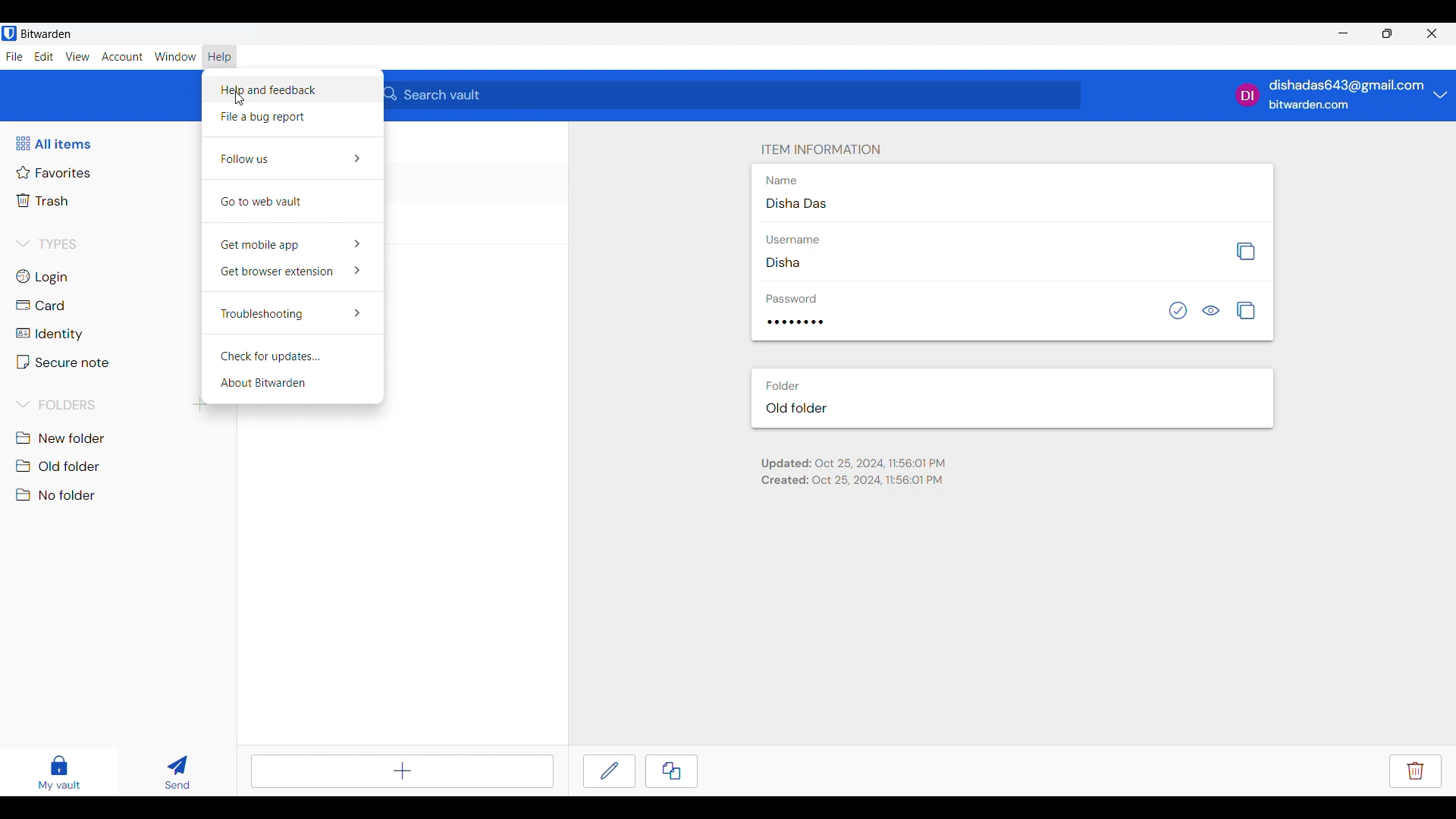 The width and height of the screenshot is (1456, 819). Describe the element at coordinates (609, 771) in the screenshot. I see `Edit ` at that location.